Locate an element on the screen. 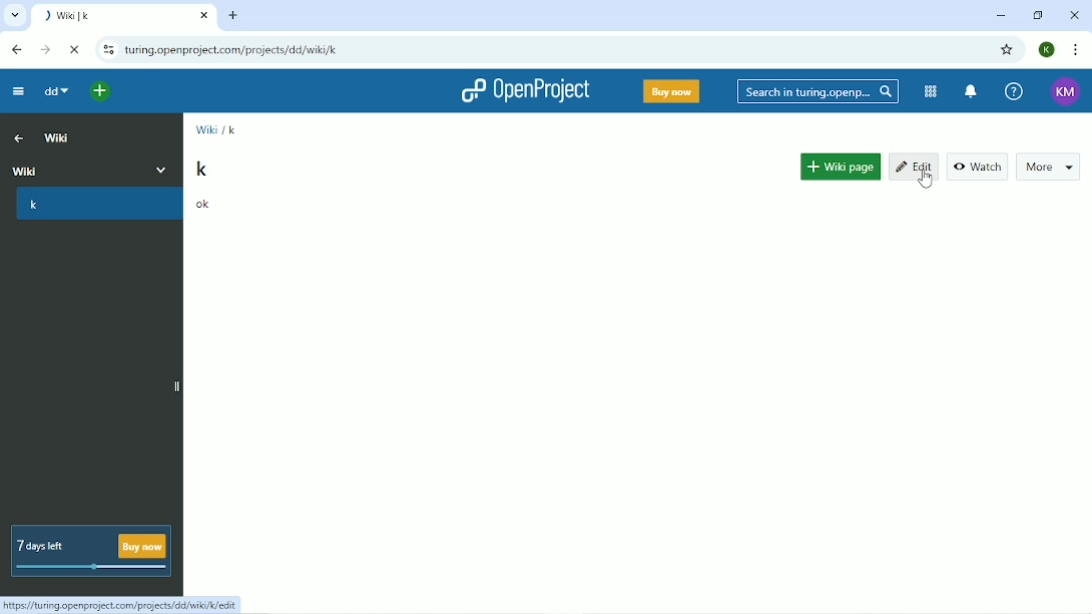 This screenshot has height=614, width=1092. 7 days left is located at coordinates (92, 552).